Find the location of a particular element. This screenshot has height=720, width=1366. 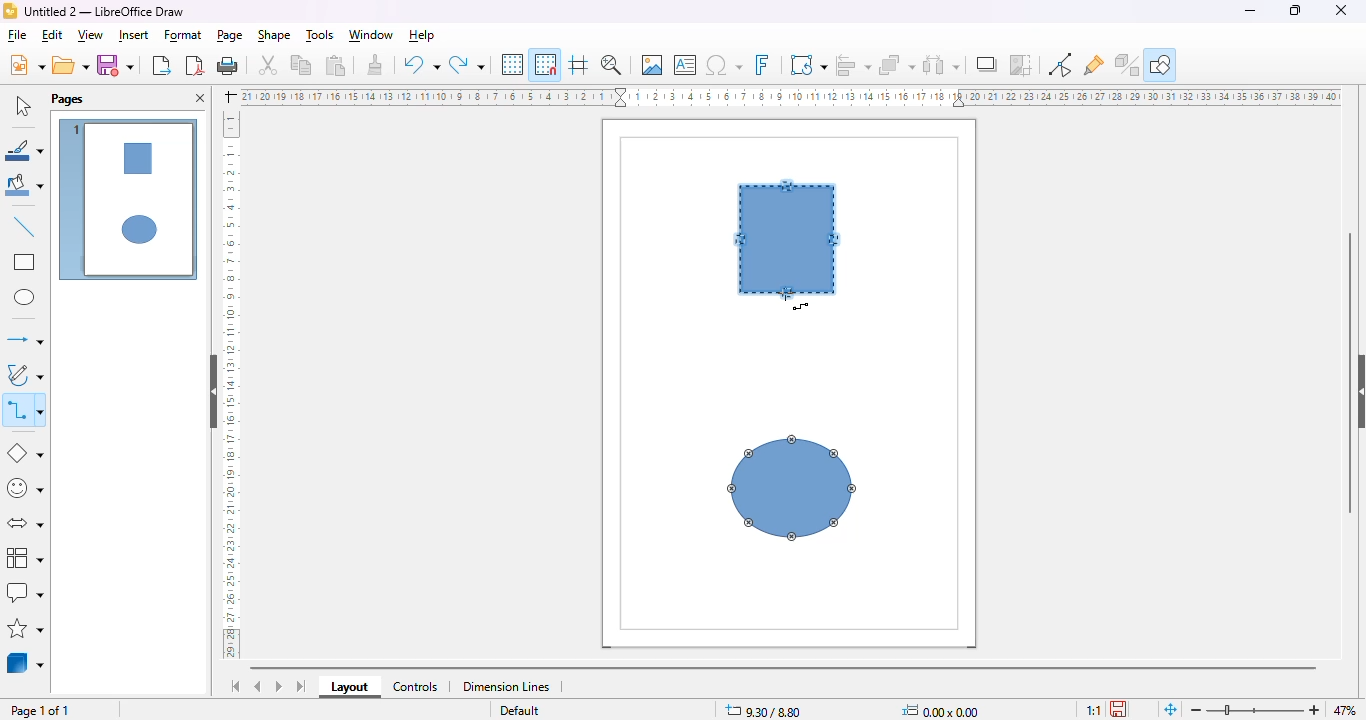

zoom out is located at coordinates (1198, 710).